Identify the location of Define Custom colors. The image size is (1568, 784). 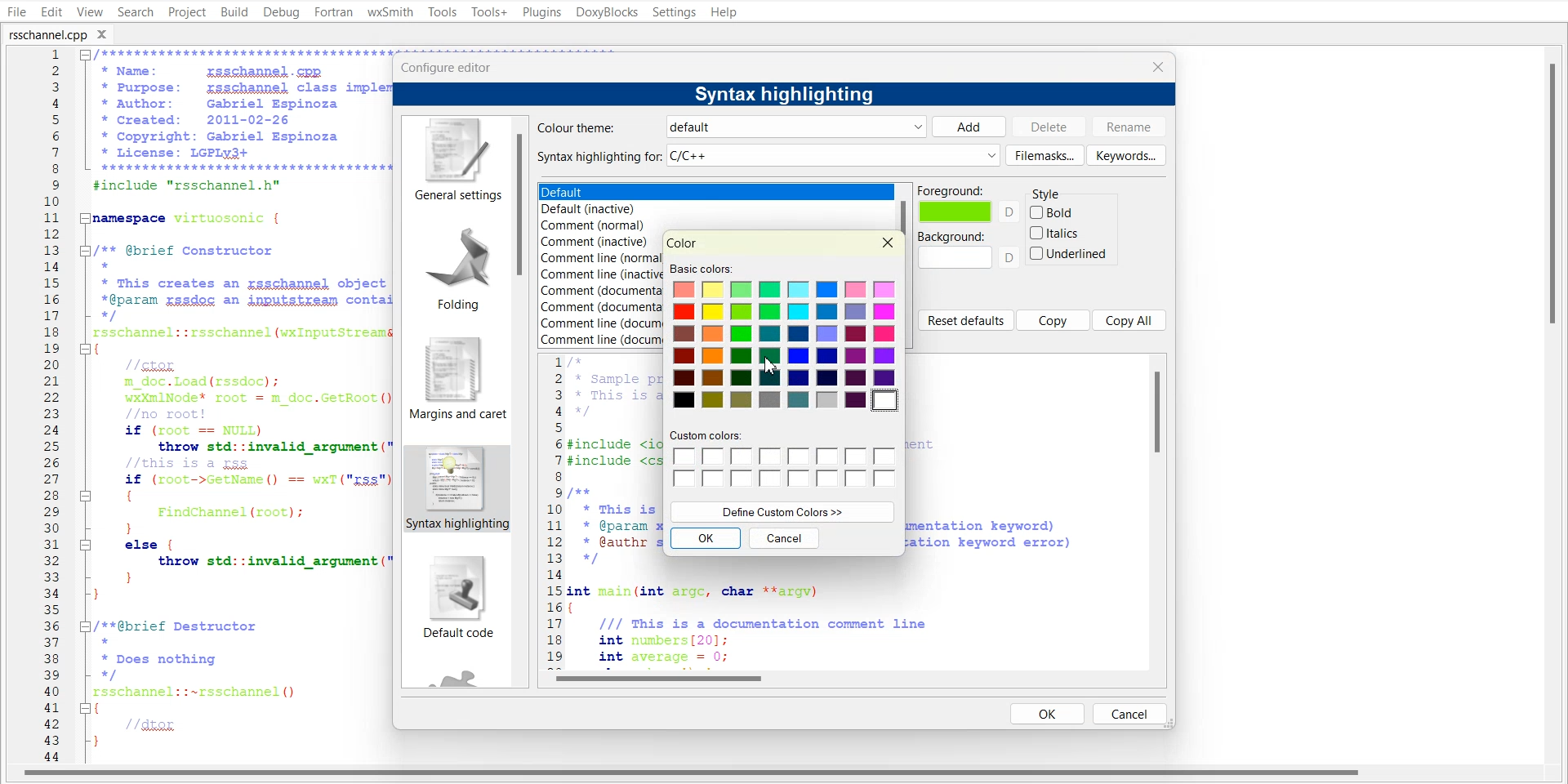
(782, 511).